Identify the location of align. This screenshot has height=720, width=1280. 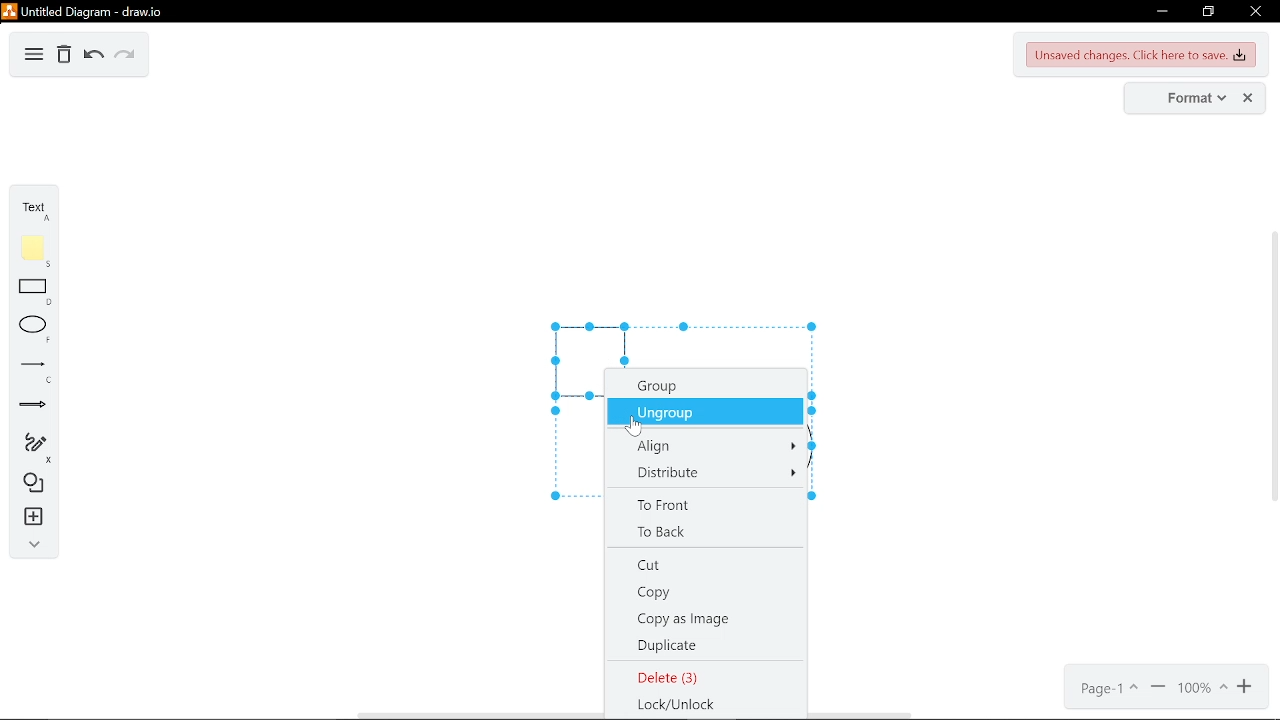
(709, 445).